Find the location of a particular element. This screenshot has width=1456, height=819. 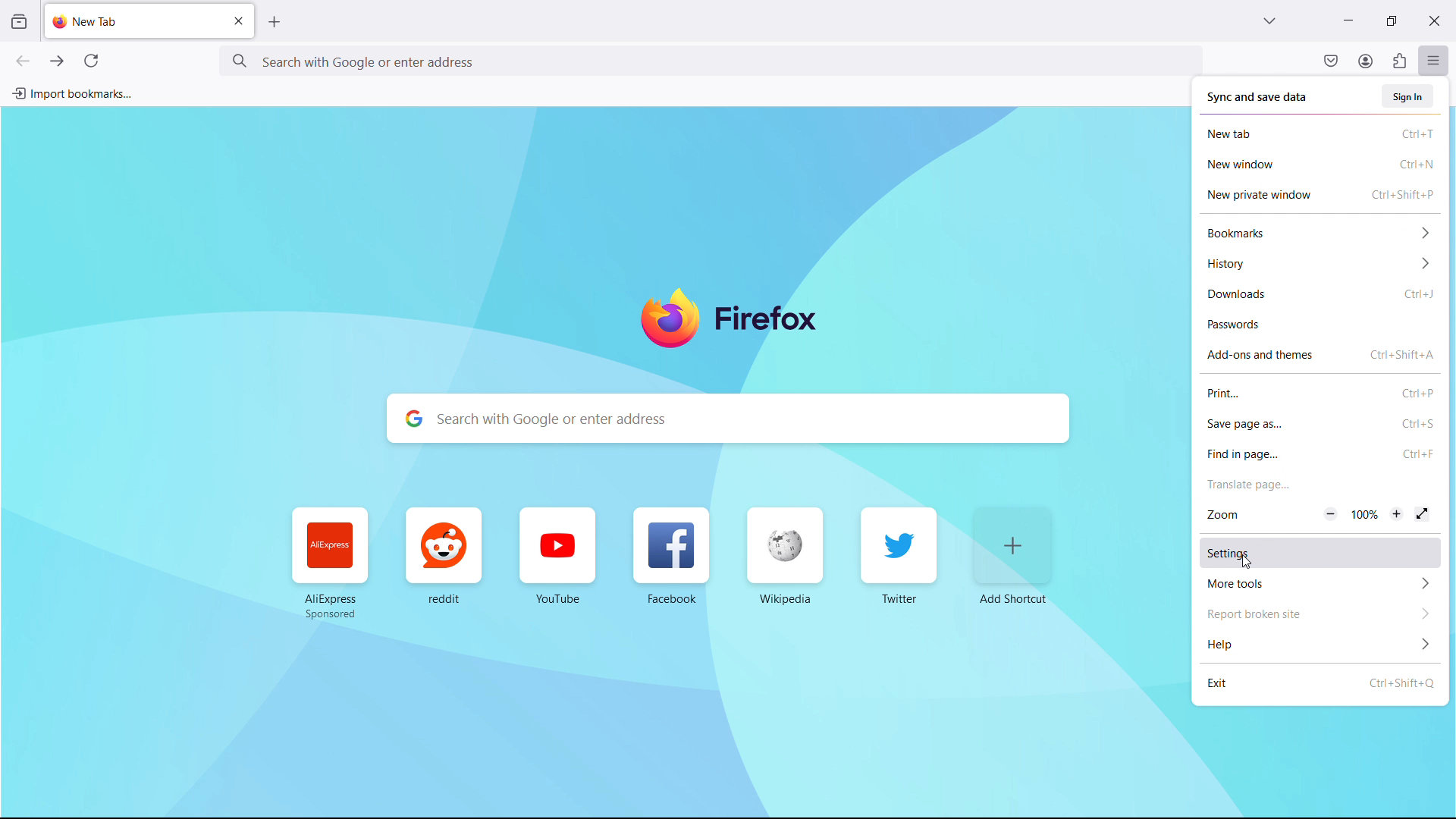

history is located at coordinates (1322, 265).